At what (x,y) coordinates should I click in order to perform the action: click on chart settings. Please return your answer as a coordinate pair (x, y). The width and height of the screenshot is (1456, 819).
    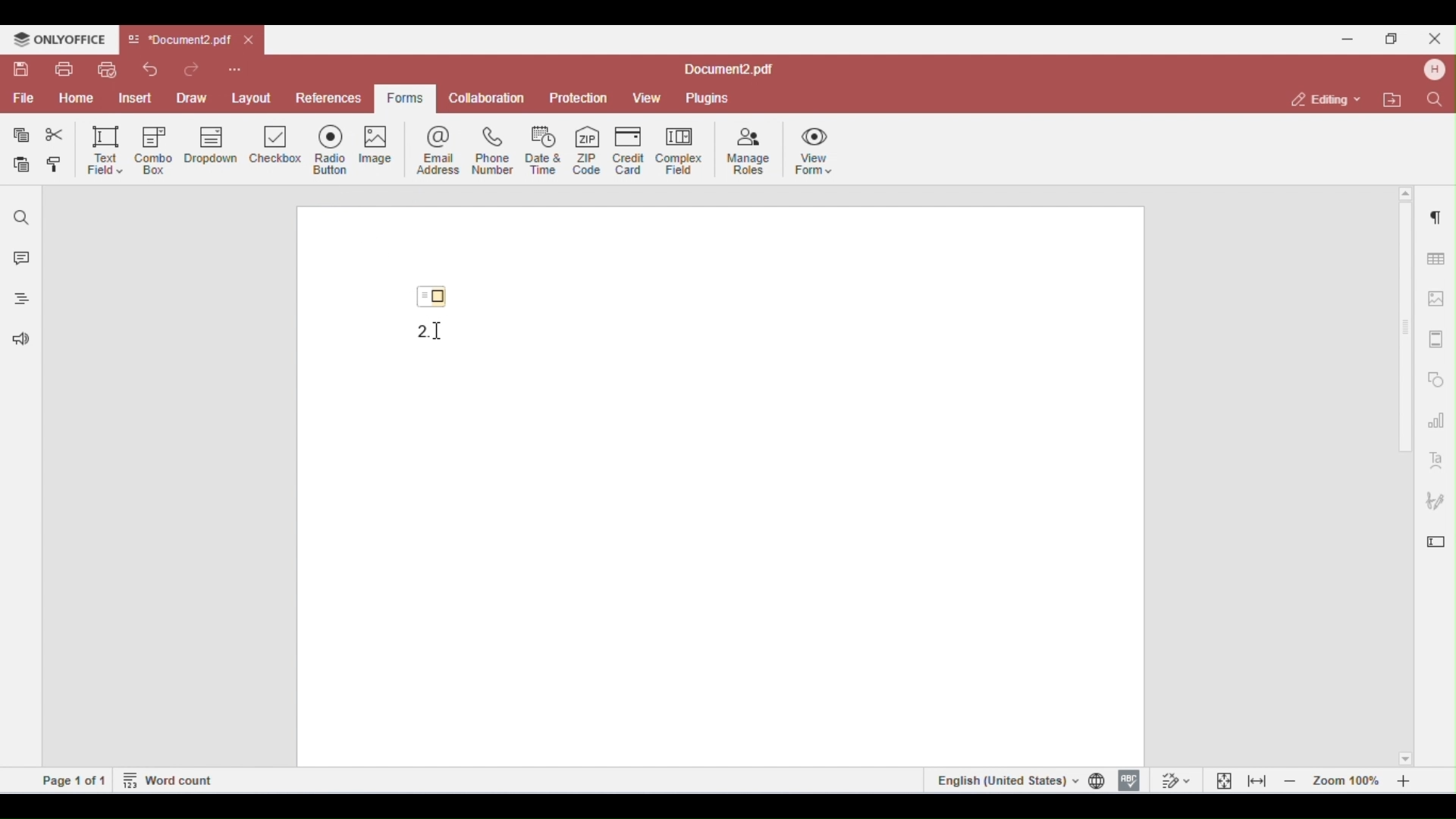
    Looking at the image, I should click on (1436, 419).